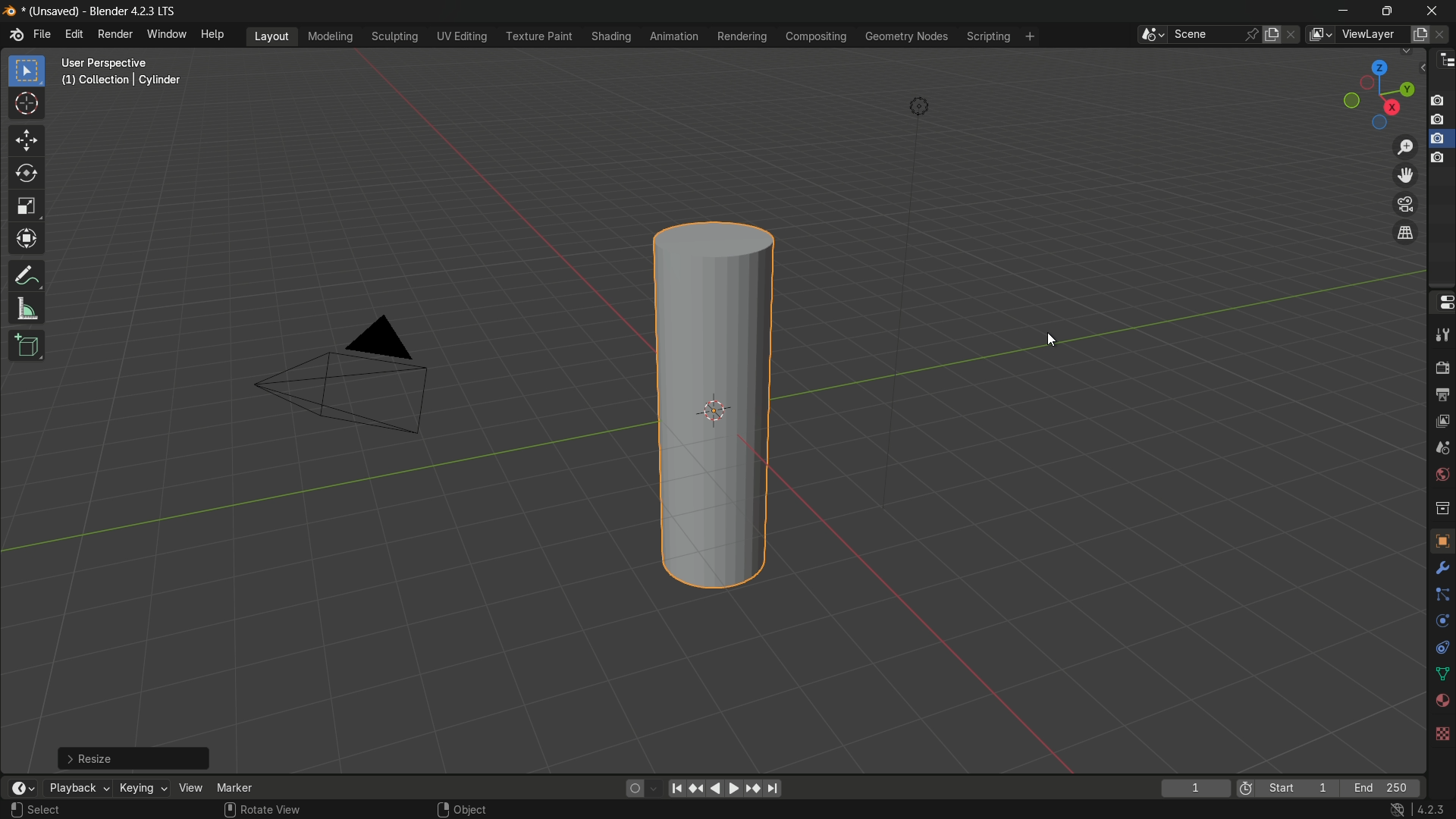  I want to click on sculpting, so click(395, 36).